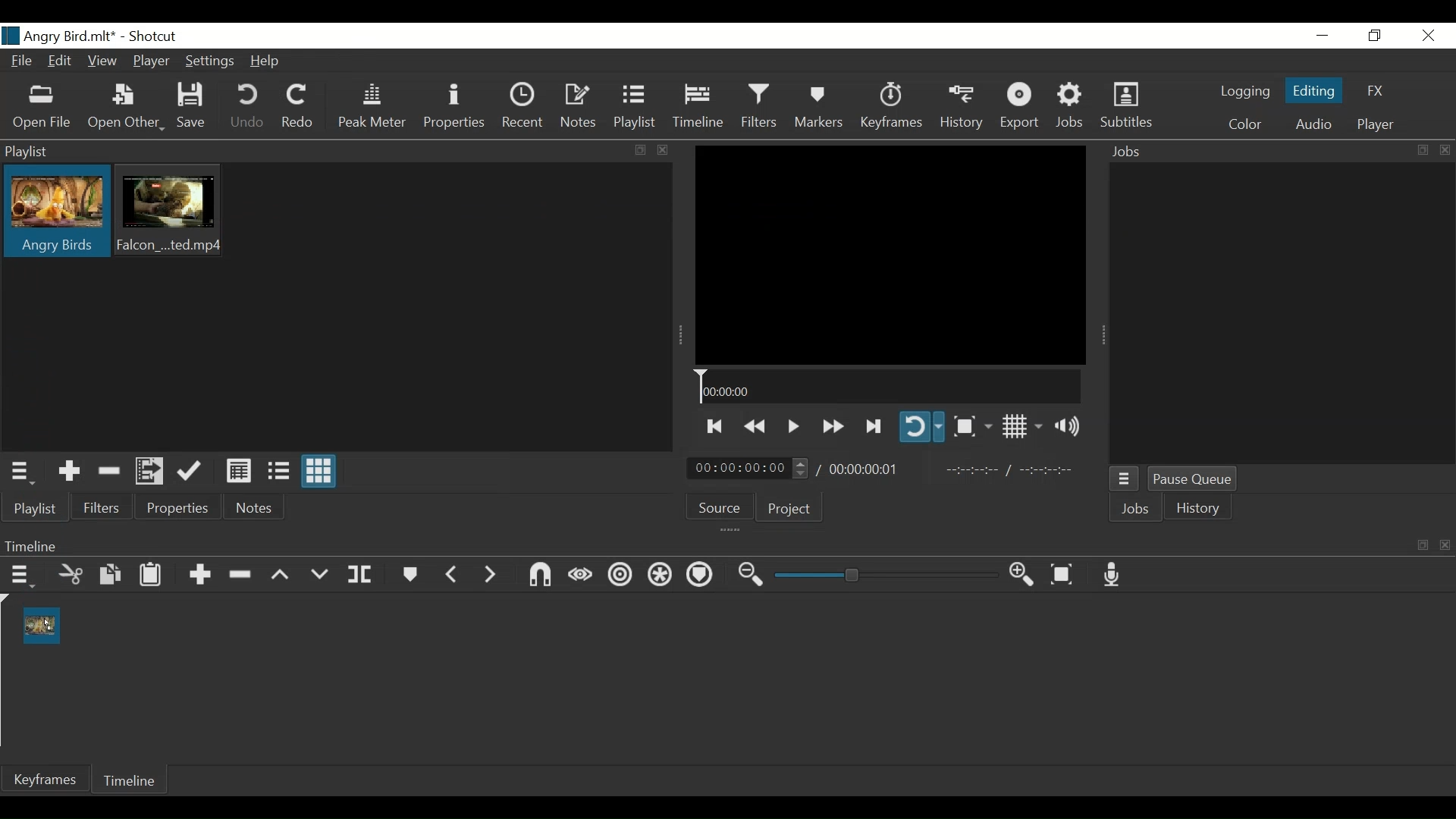 The height and width of the screenshot is (819, 1456). Describe the element at coordinates (136, 782) in the screenshot. I see `Timeline` at that location.